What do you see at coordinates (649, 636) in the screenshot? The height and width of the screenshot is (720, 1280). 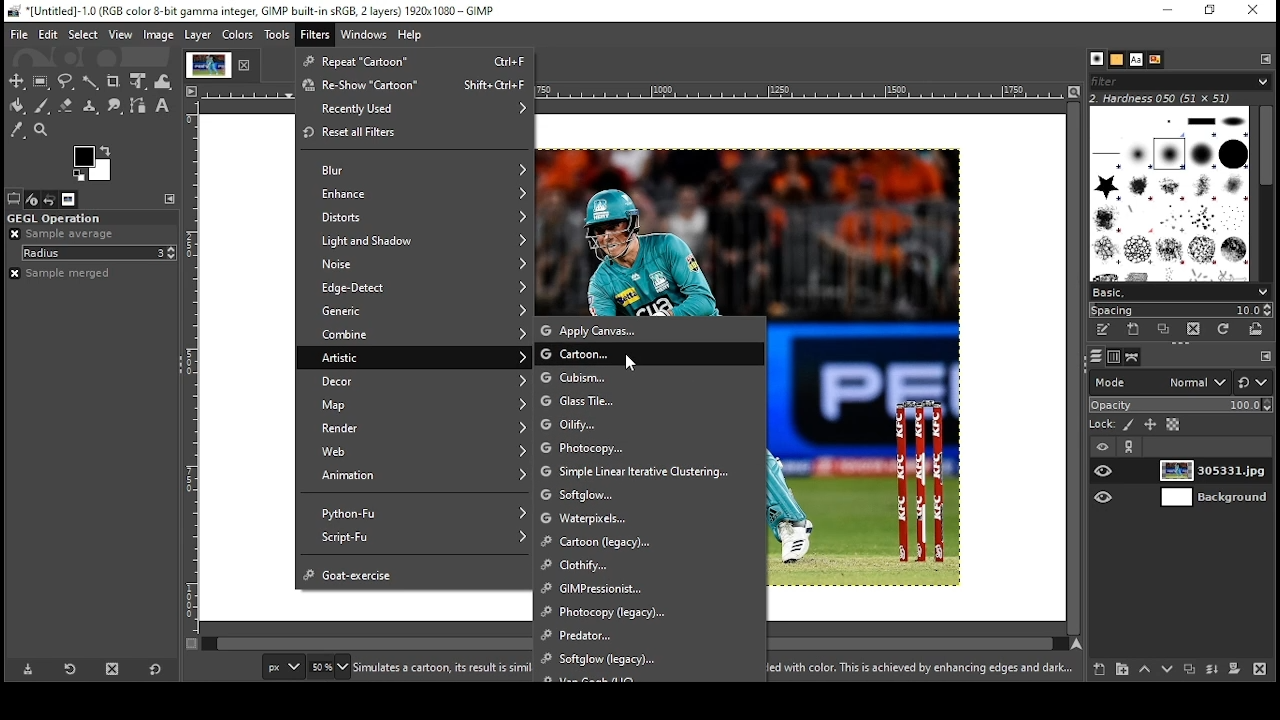 I see `predator` at bounding box center [649, 636].